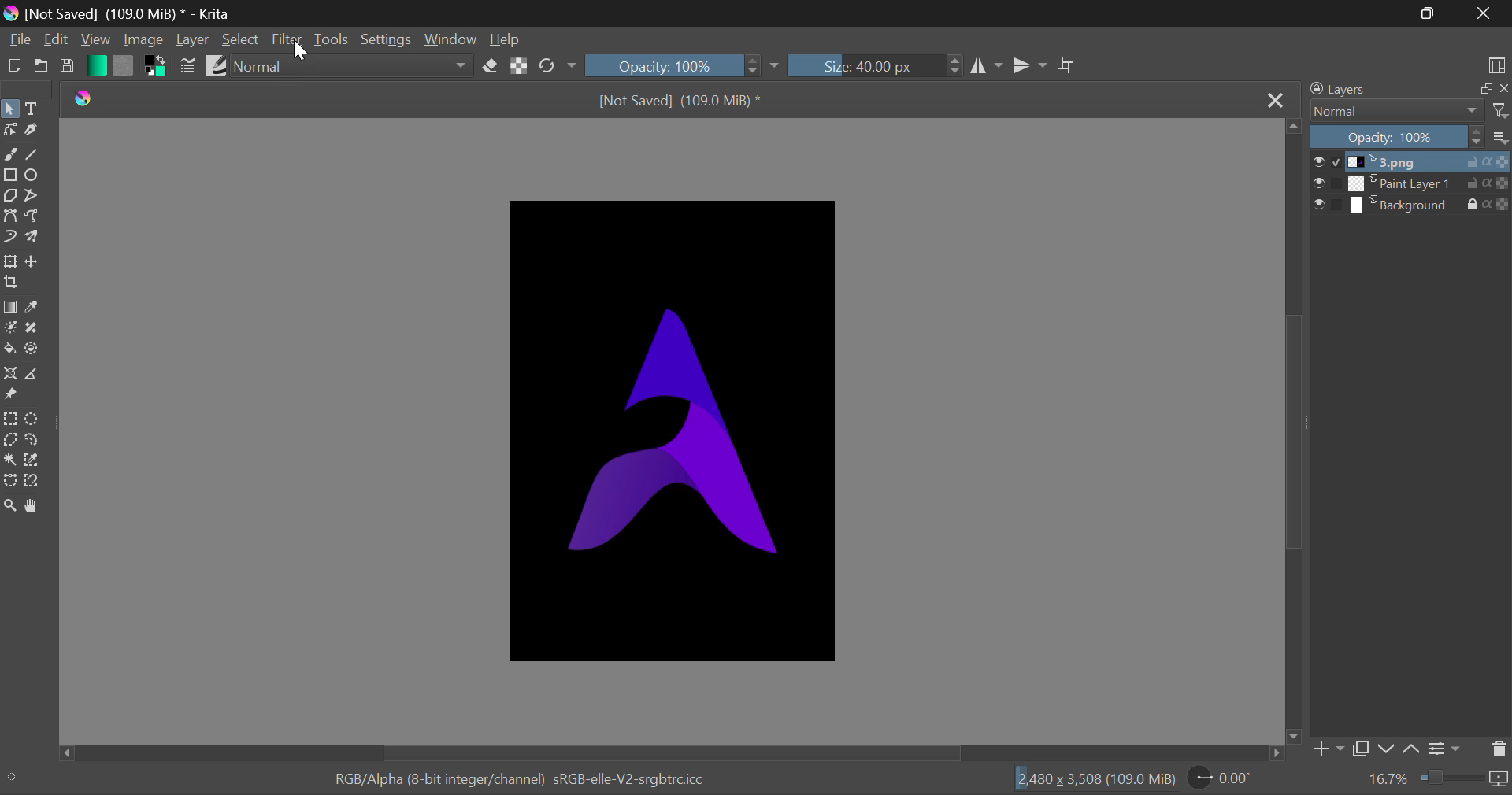 The height and width of the screenshot is (795, 1512). I want to click on Layer, so click(193, 39).